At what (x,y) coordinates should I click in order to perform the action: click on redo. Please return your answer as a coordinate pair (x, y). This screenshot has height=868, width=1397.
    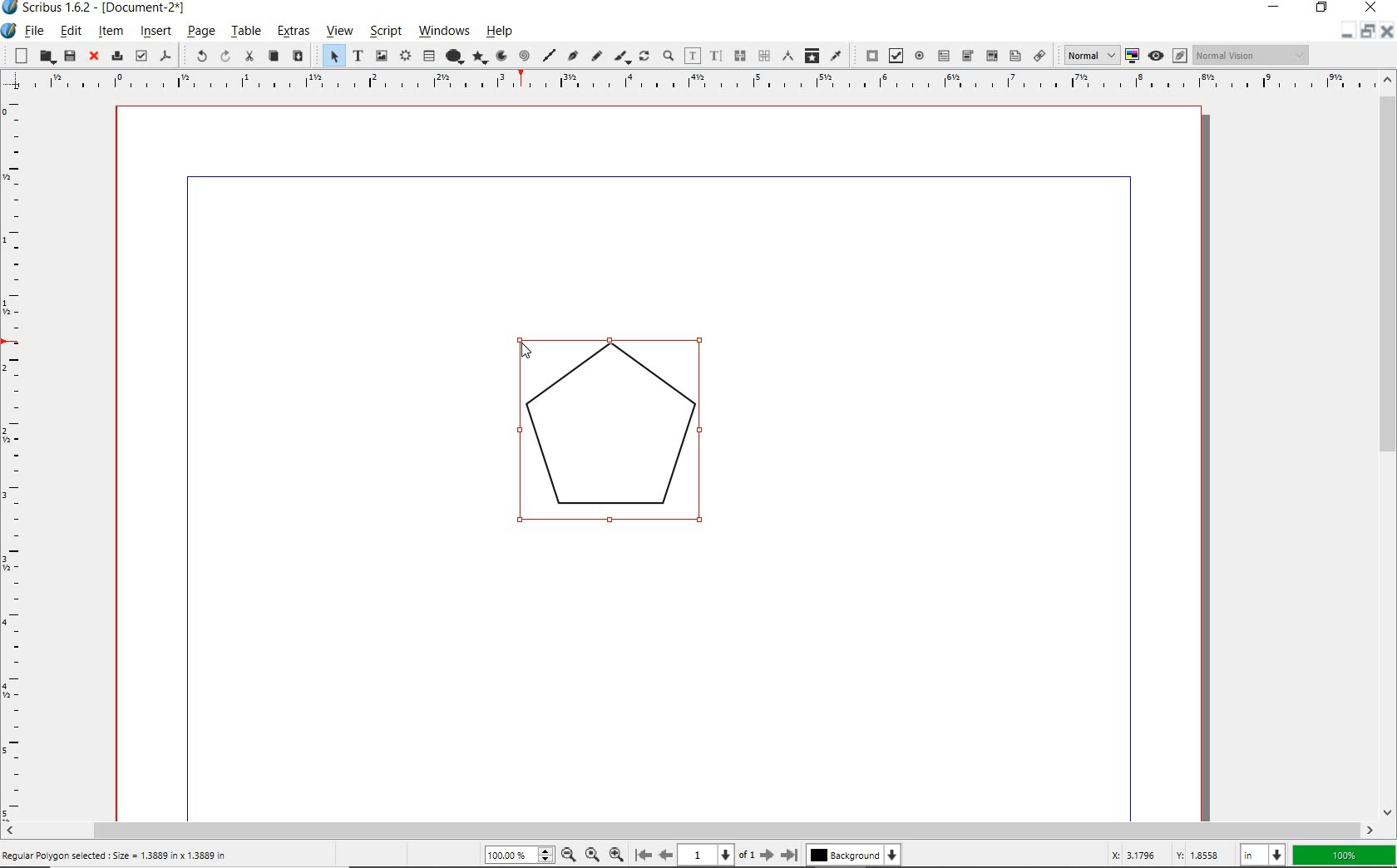
    Looking at the image, I should click on (225, 57).